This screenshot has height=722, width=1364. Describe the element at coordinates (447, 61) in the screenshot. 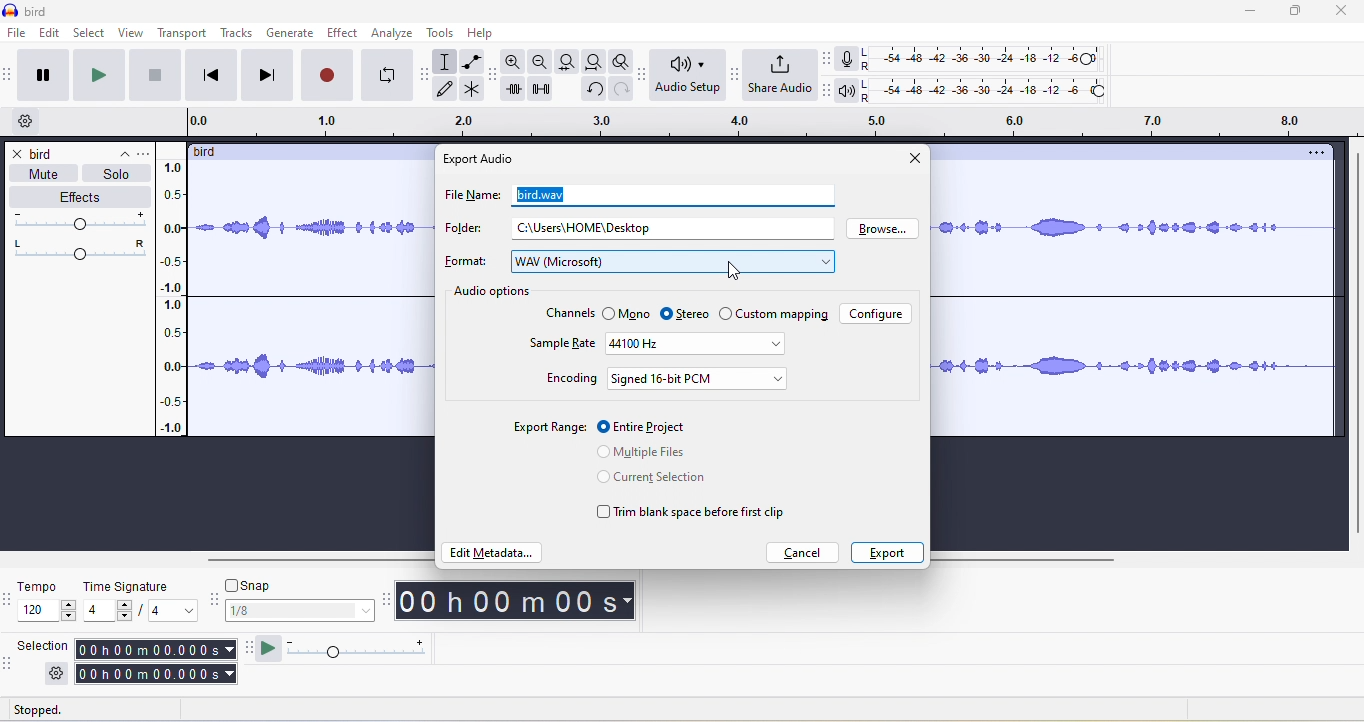

I see `selection tool` at that location.